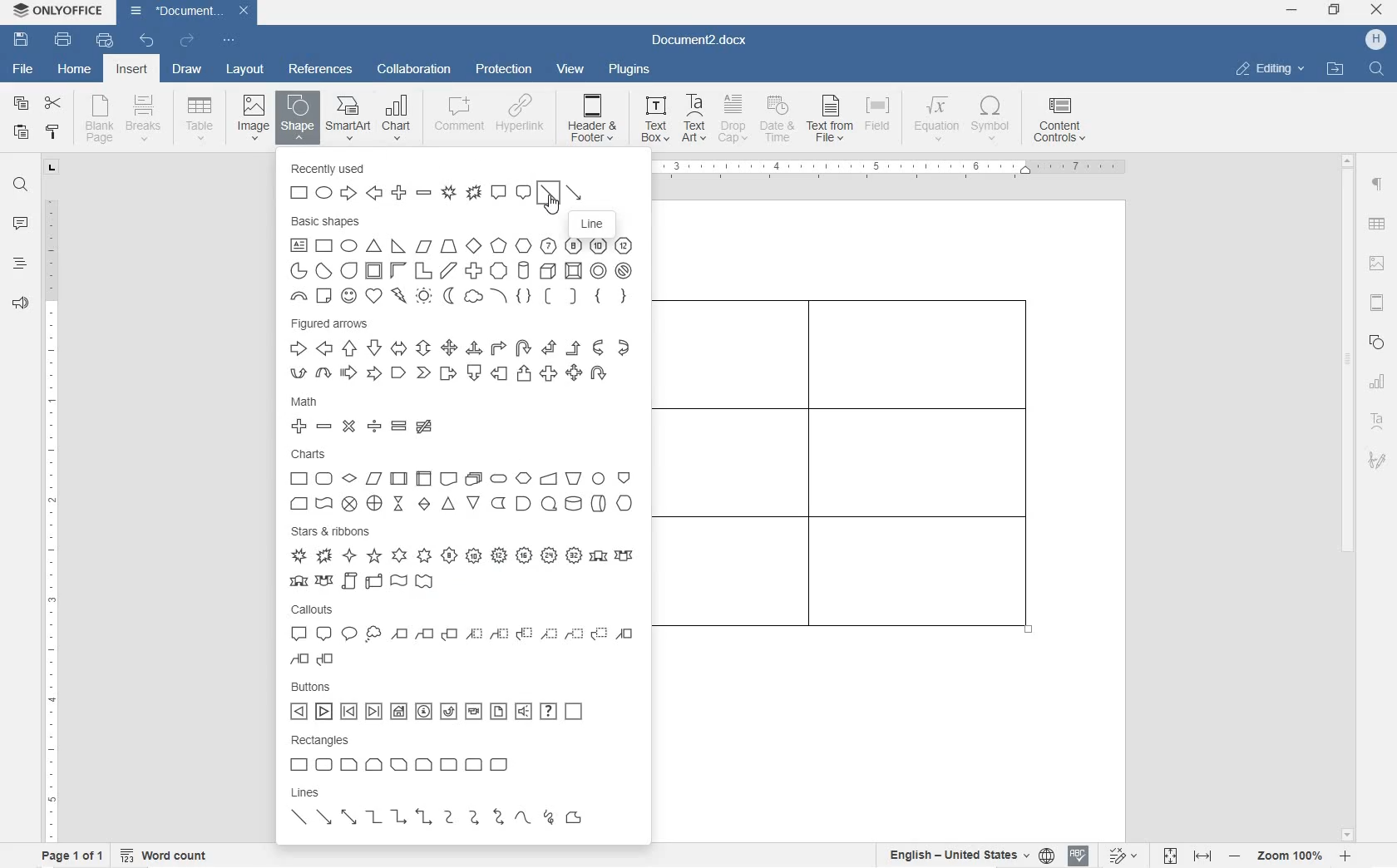 This screenshot has height=868, width=1397. Describe the element at coordinates (1348, 496) in the screenshot. I see `scrollbar` at that location.